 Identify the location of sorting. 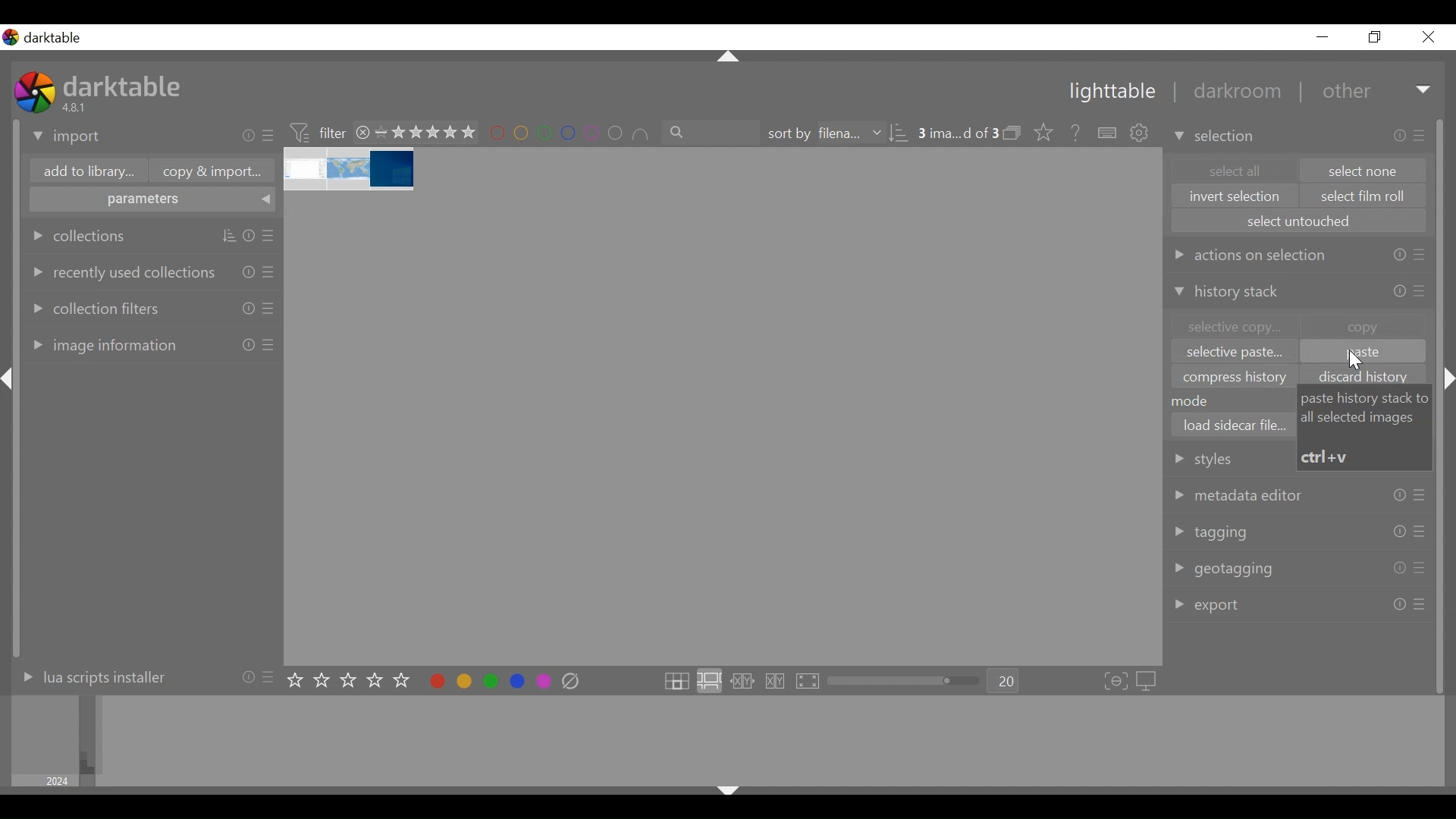
(229, 237).